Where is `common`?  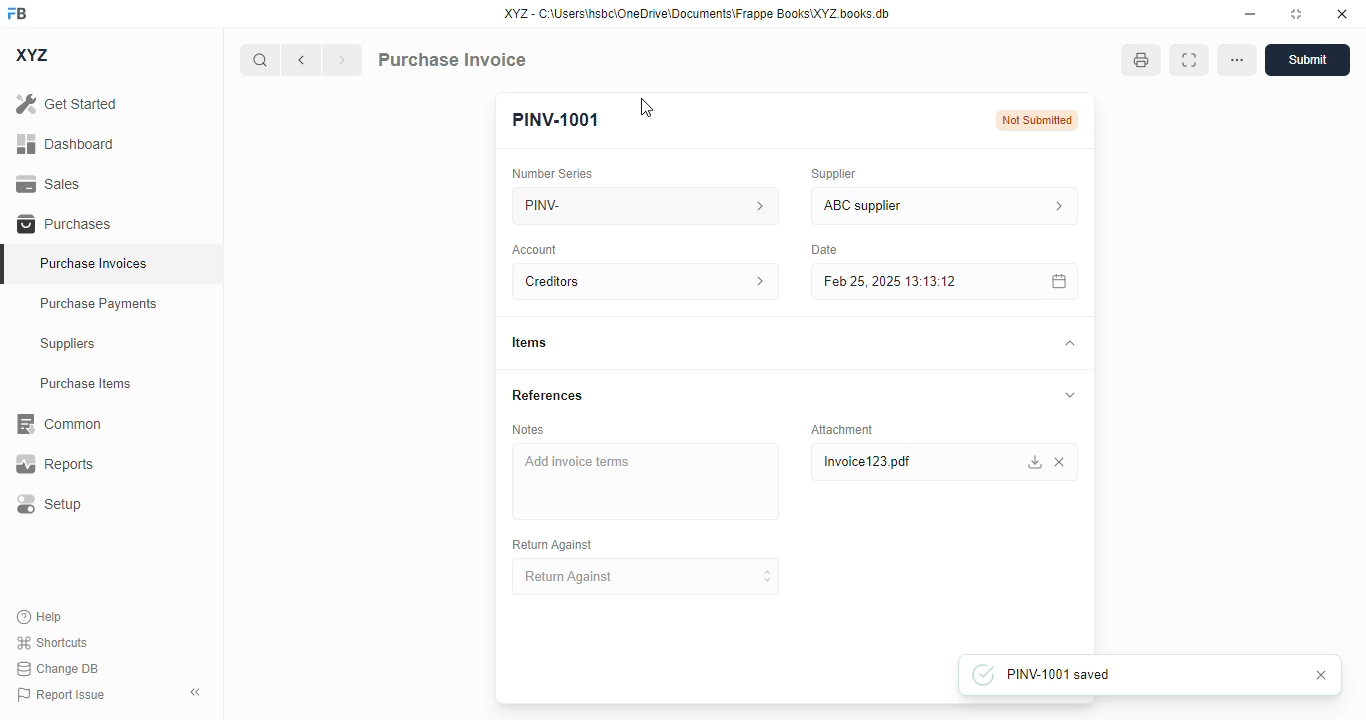
common is located at coordinates (57, 424).